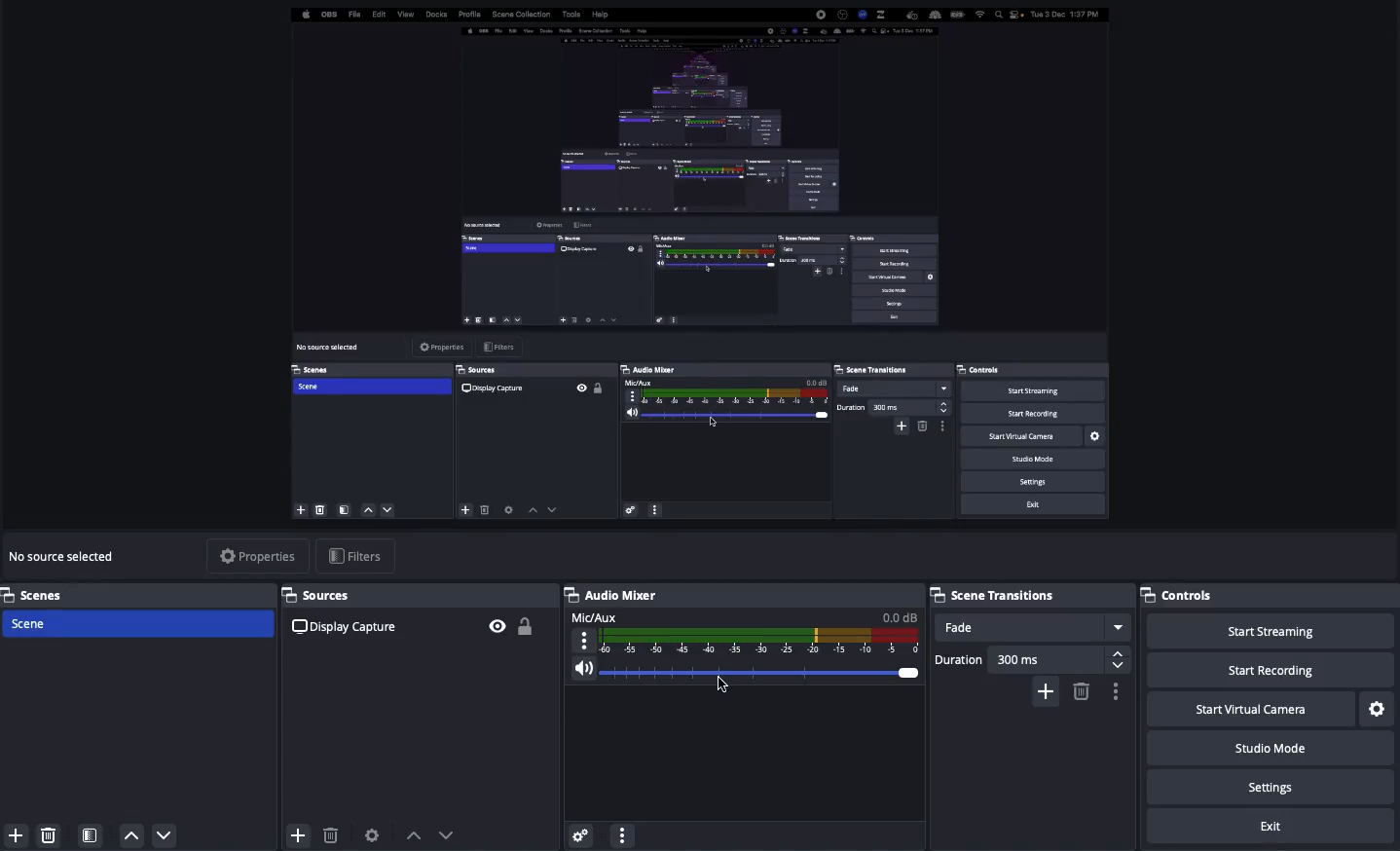 The width and height of the screenshot is (1400, 851). Describe the element at coordinates (1185, 595) in the screenshot. I see `Controls` at that location.